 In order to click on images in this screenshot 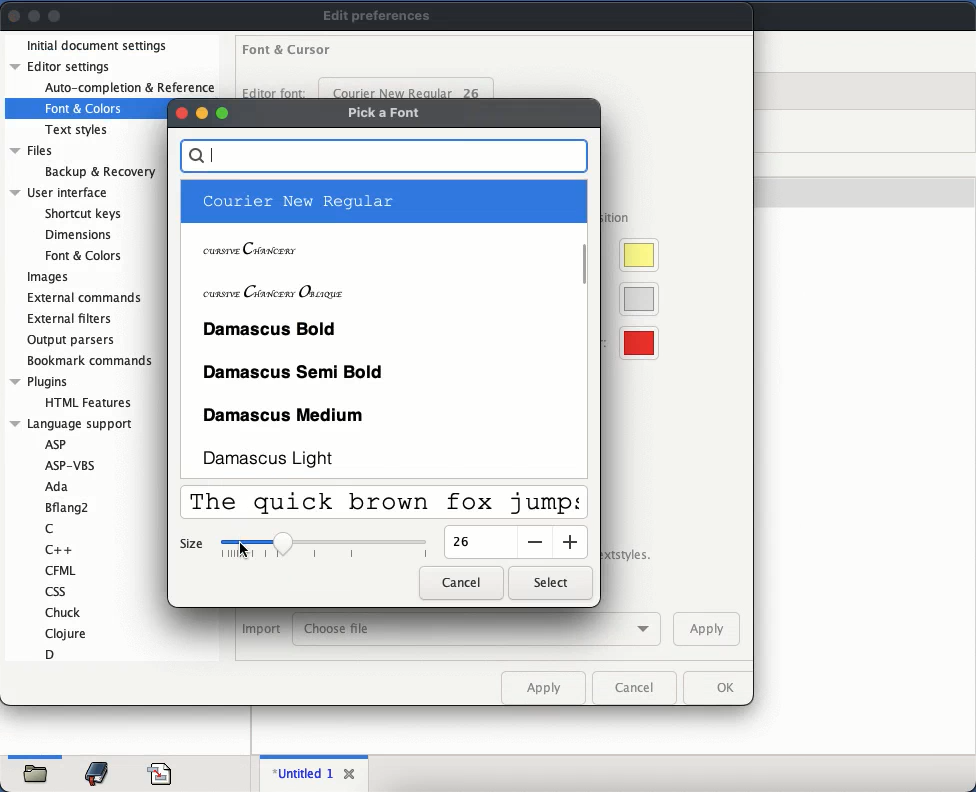, I will do `click(47, 278)`.